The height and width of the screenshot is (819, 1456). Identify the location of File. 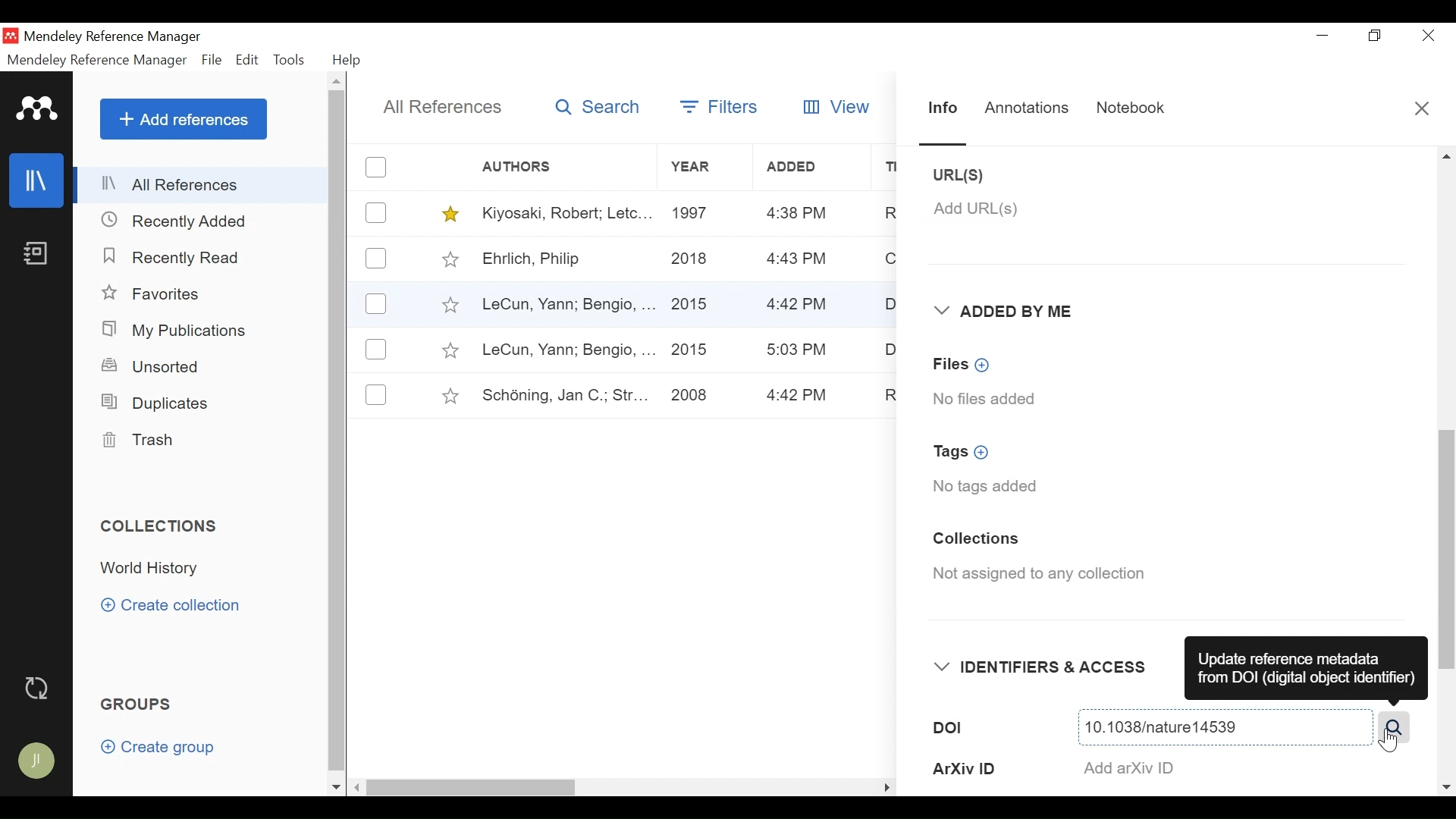
(213, 61).